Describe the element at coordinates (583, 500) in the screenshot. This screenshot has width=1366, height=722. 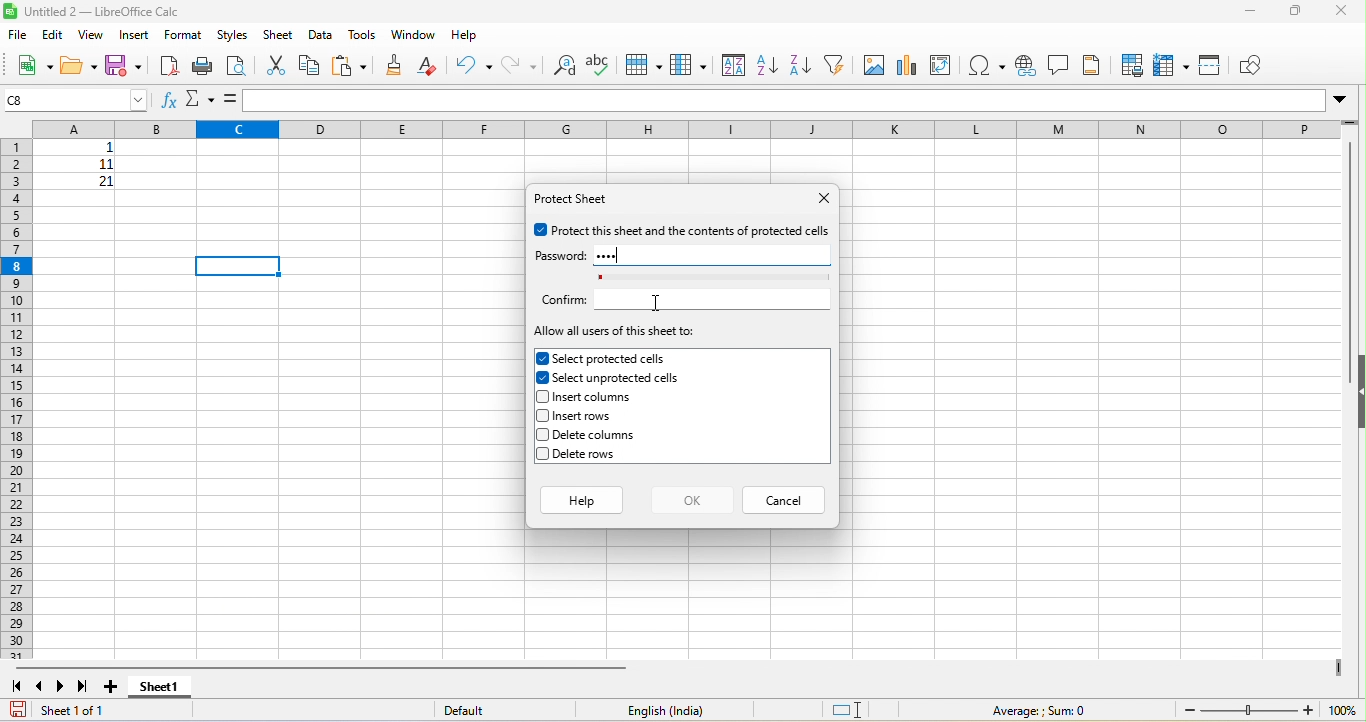
I see `help` at that location.